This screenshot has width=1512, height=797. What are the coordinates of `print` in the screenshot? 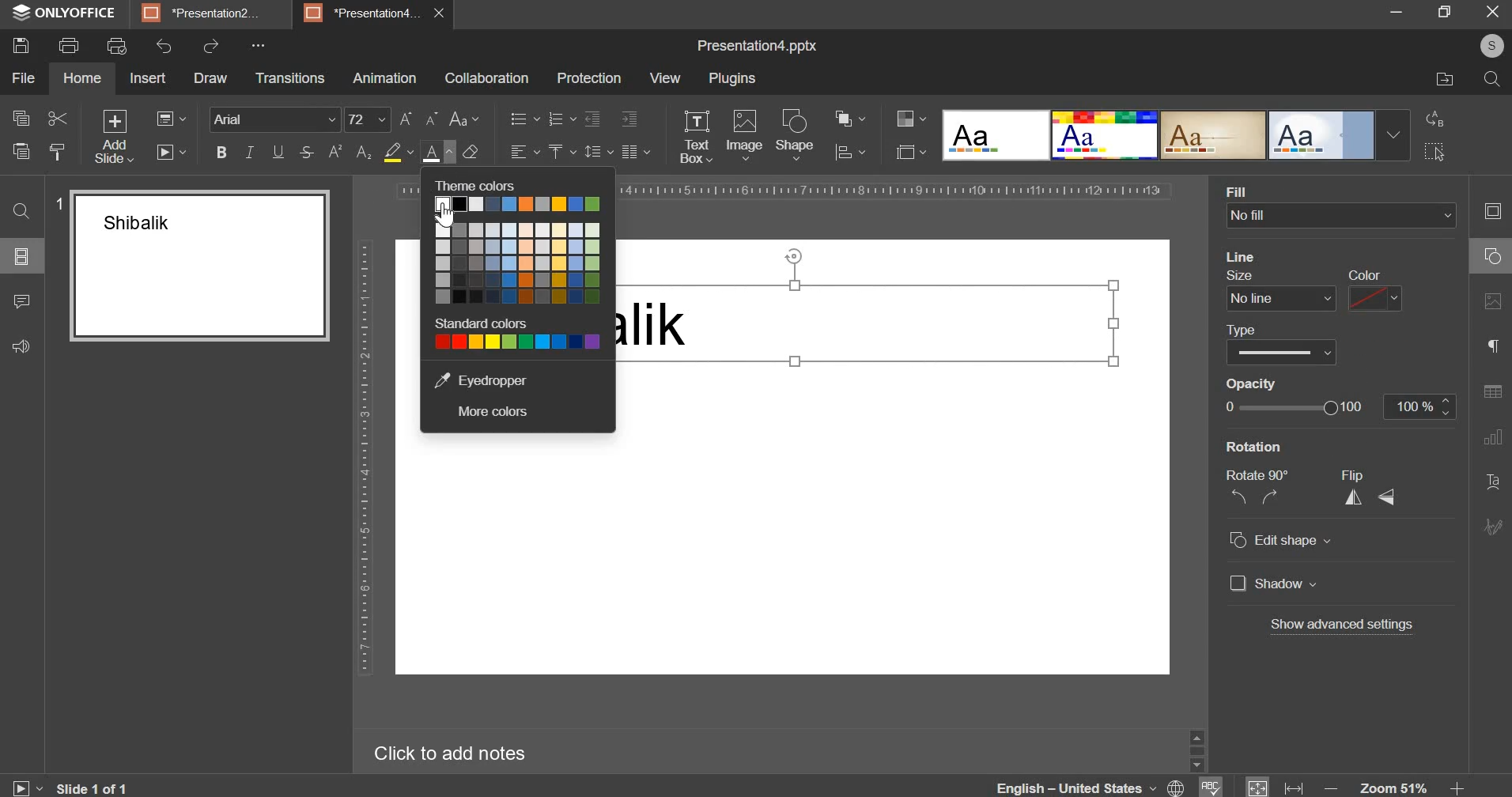 It's located at (69, 43).